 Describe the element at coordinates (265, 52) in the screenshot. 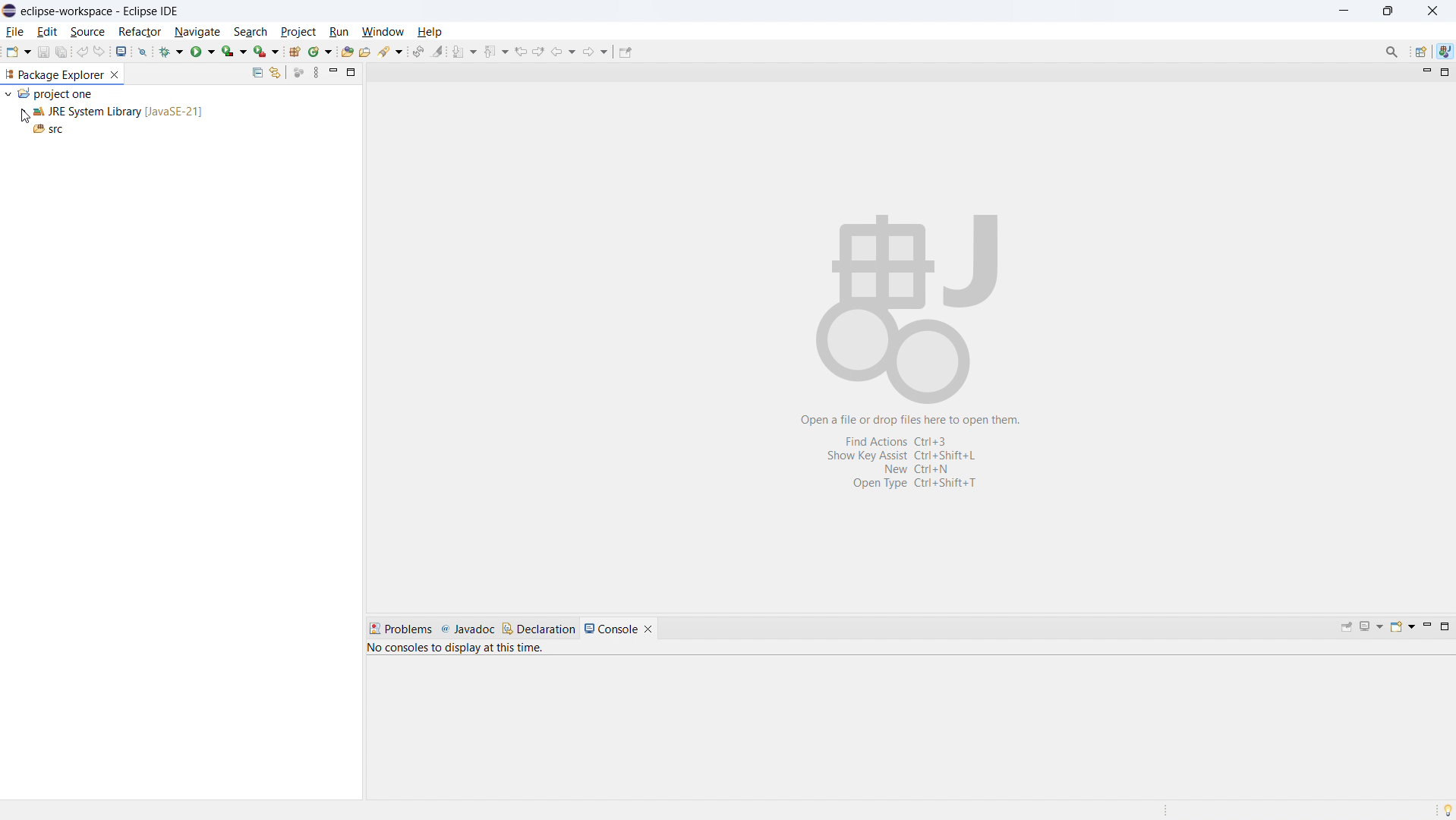

I see `new window` at that location.